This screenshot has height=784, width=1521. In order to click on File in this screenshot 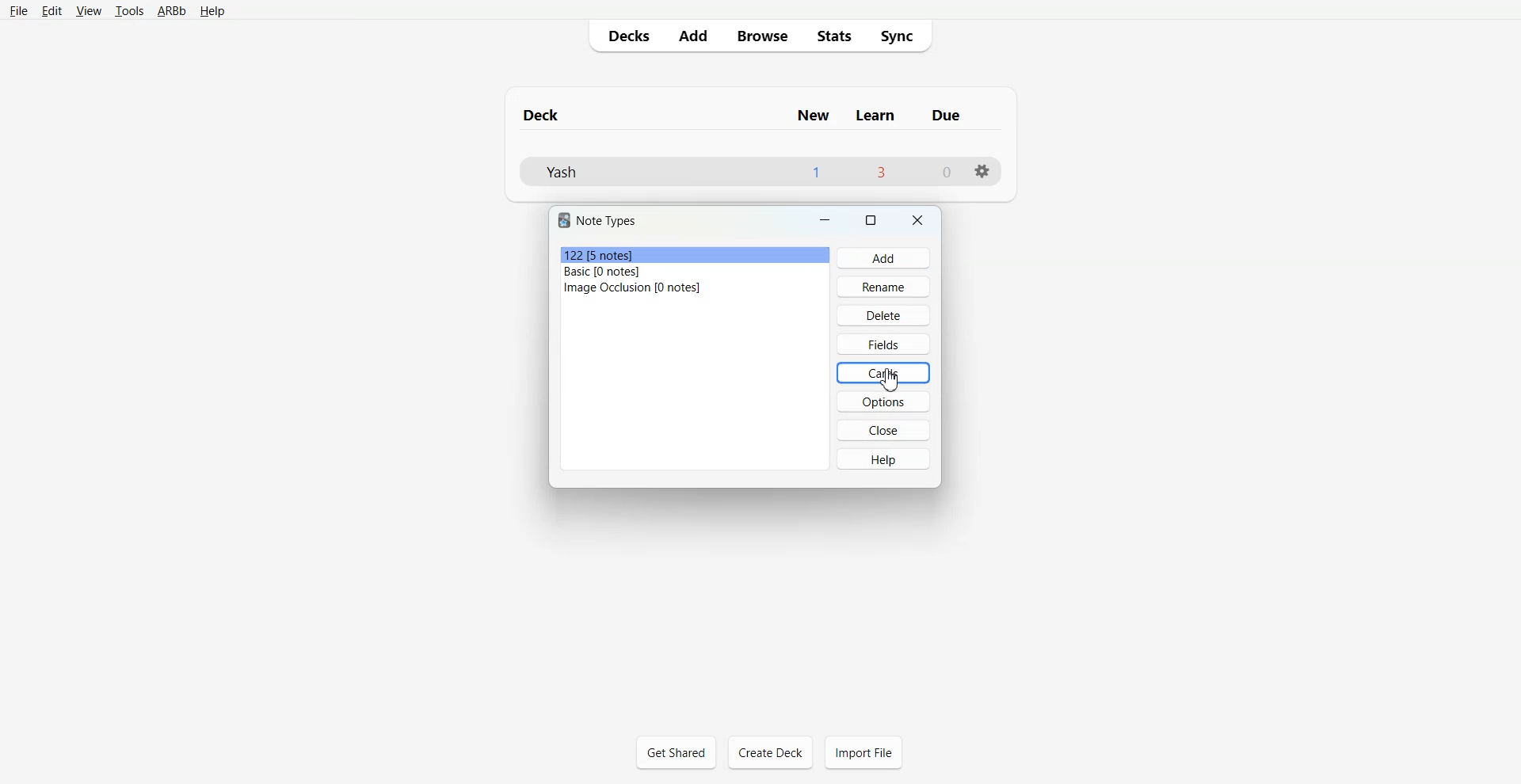, I will do `click(18, 11)`.